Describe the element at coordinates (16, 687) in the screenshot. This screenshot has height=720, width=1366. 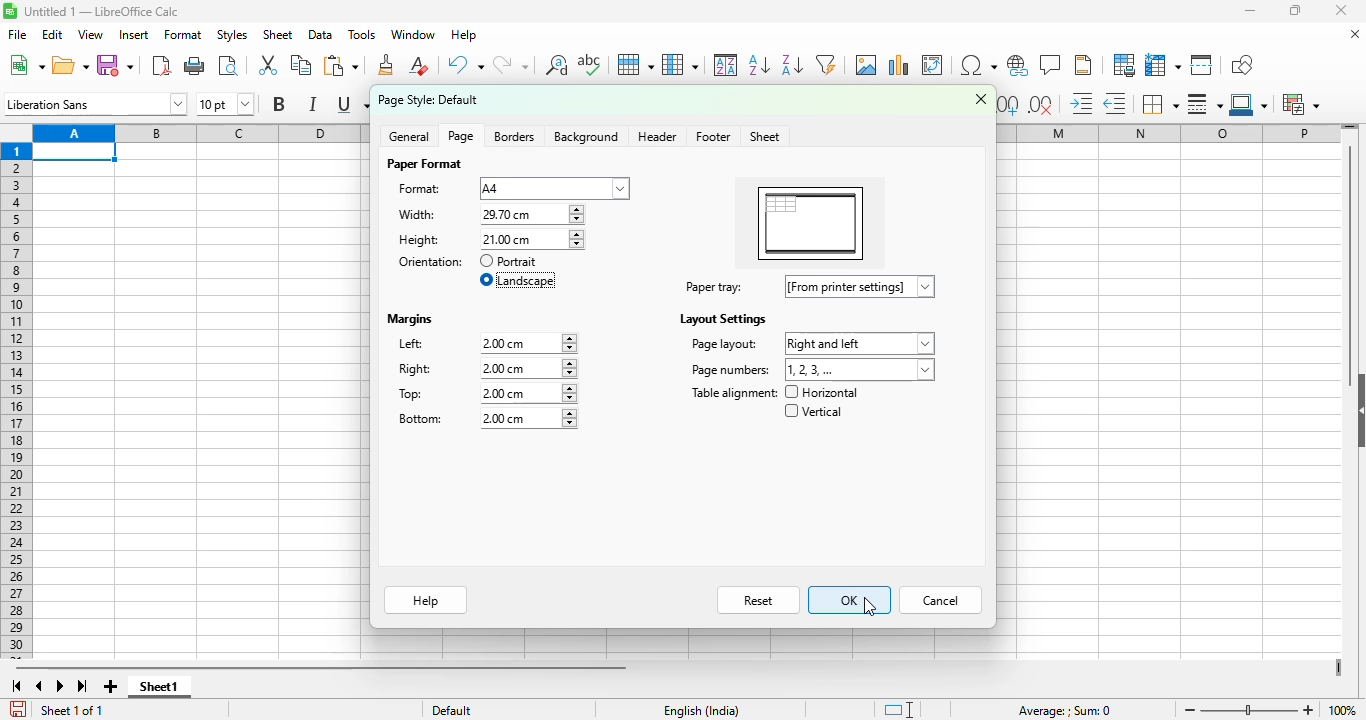
I see `scroll to first sheet` at that location.